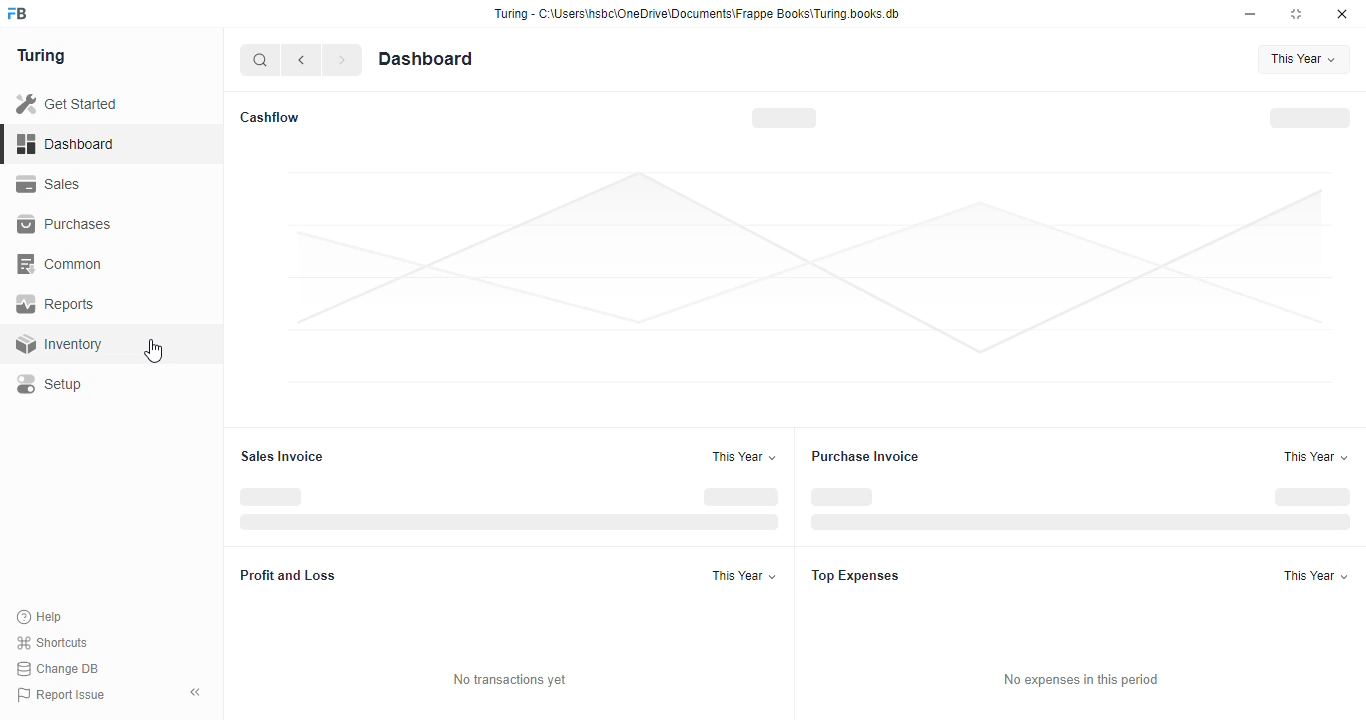  Describe the element at coordinates (153, 351) in the screenshot. I see `cursor` at that location.